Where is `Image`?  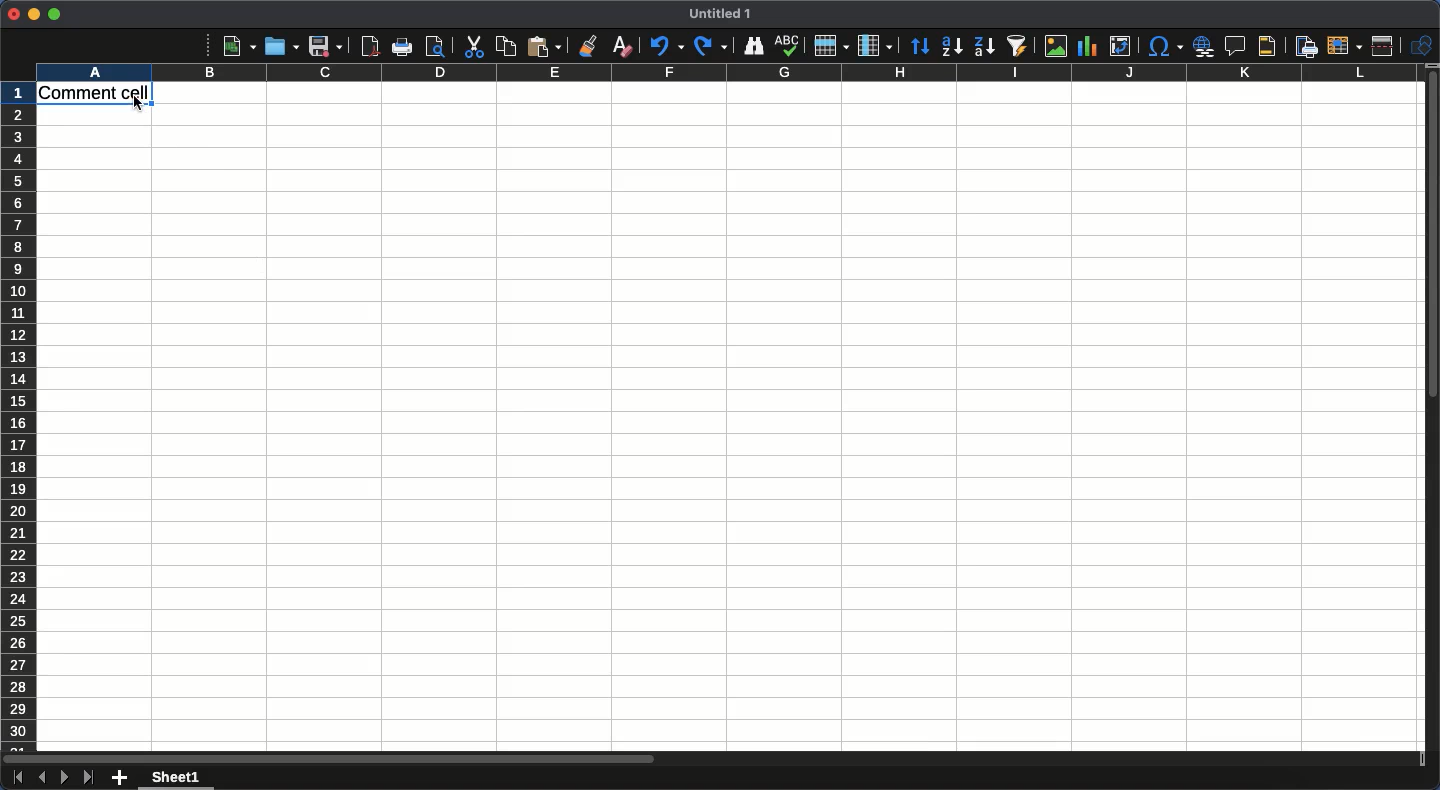 Image is located at coordinates (1058, 46).